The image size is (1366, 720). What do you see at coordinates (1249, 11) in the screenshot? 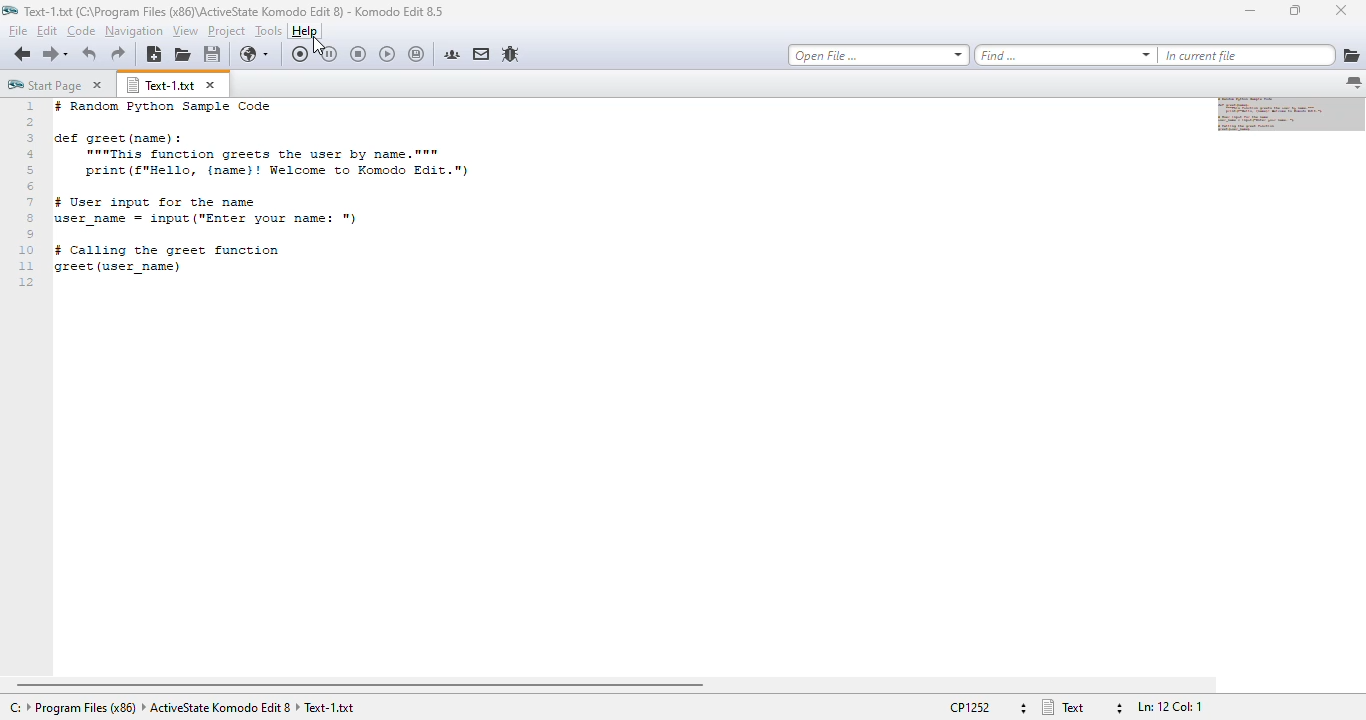
I see `minimize` at bounding box center [1249, 11].